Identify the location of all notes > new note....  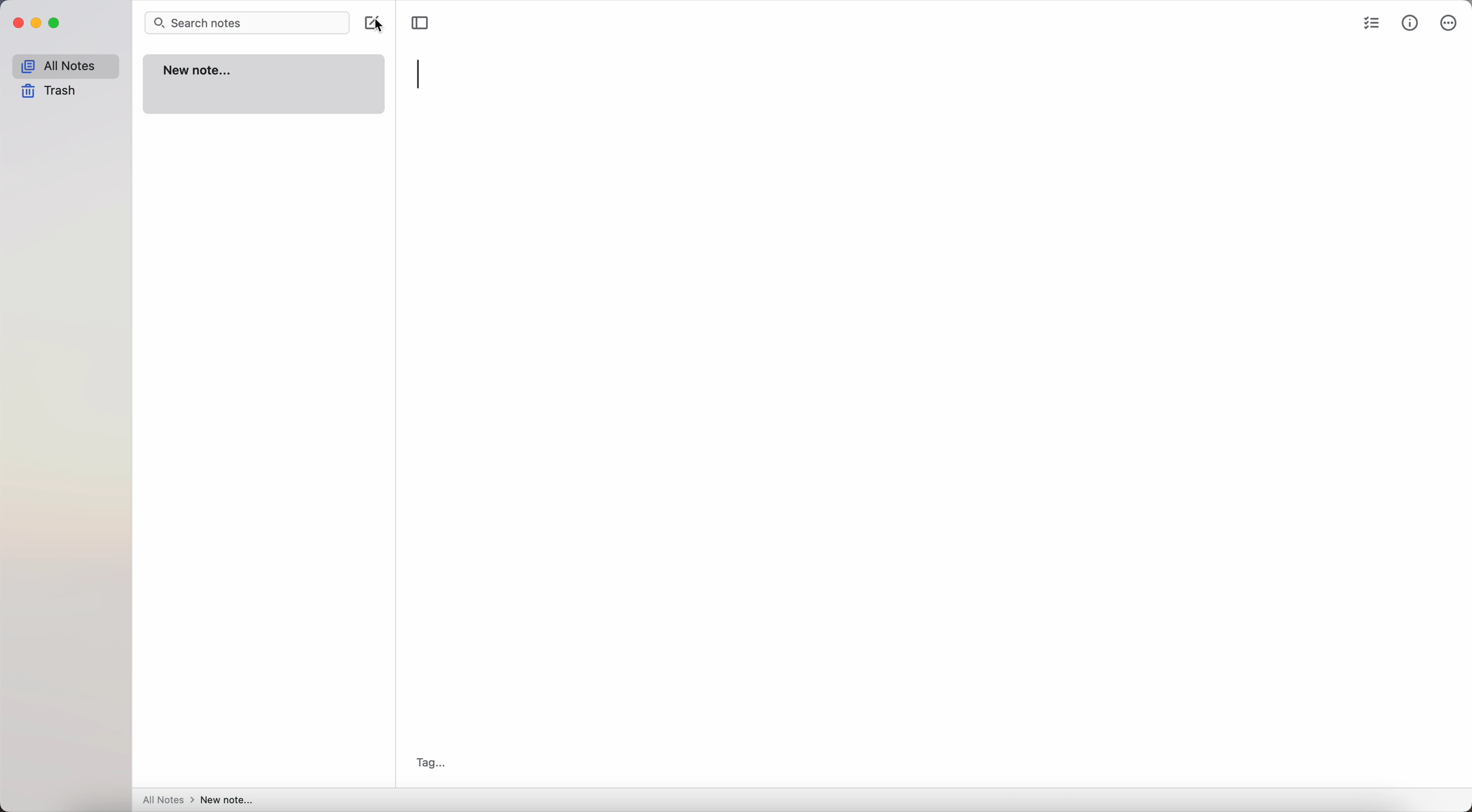
(200, 800).